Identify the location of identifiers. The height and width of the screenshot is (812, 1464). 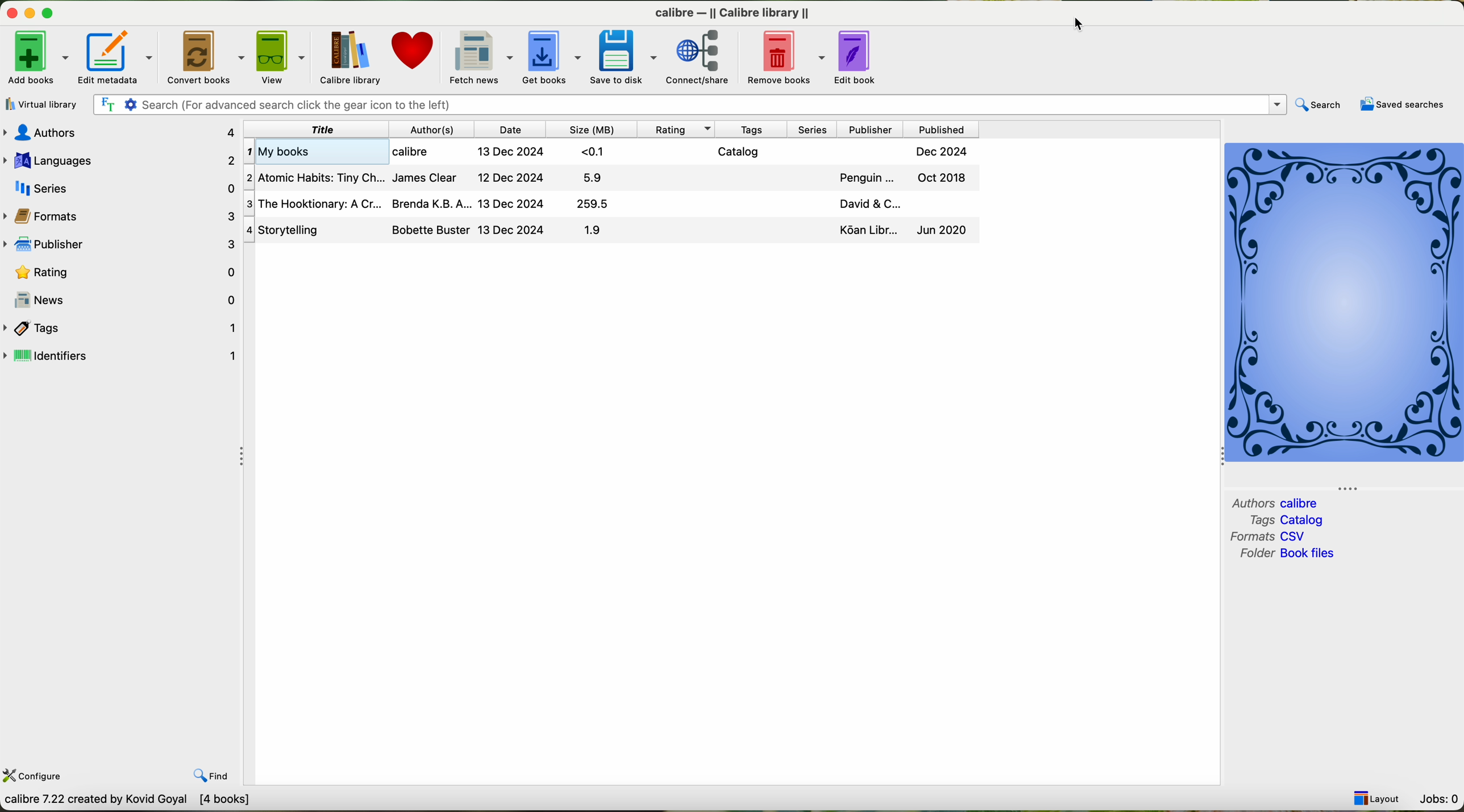
(121, 355).